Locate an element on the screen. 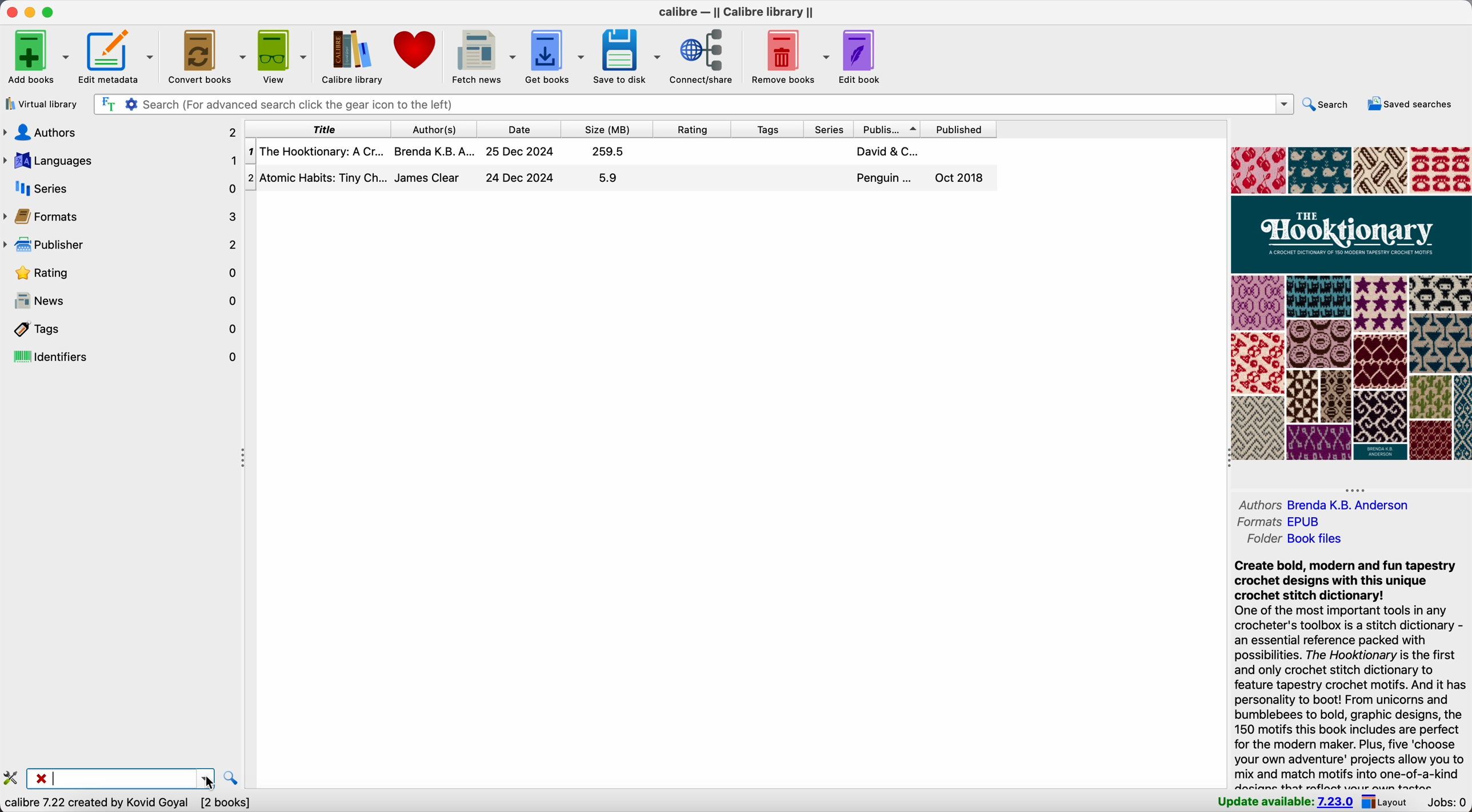  authors is located at coordinates (1327, 503).